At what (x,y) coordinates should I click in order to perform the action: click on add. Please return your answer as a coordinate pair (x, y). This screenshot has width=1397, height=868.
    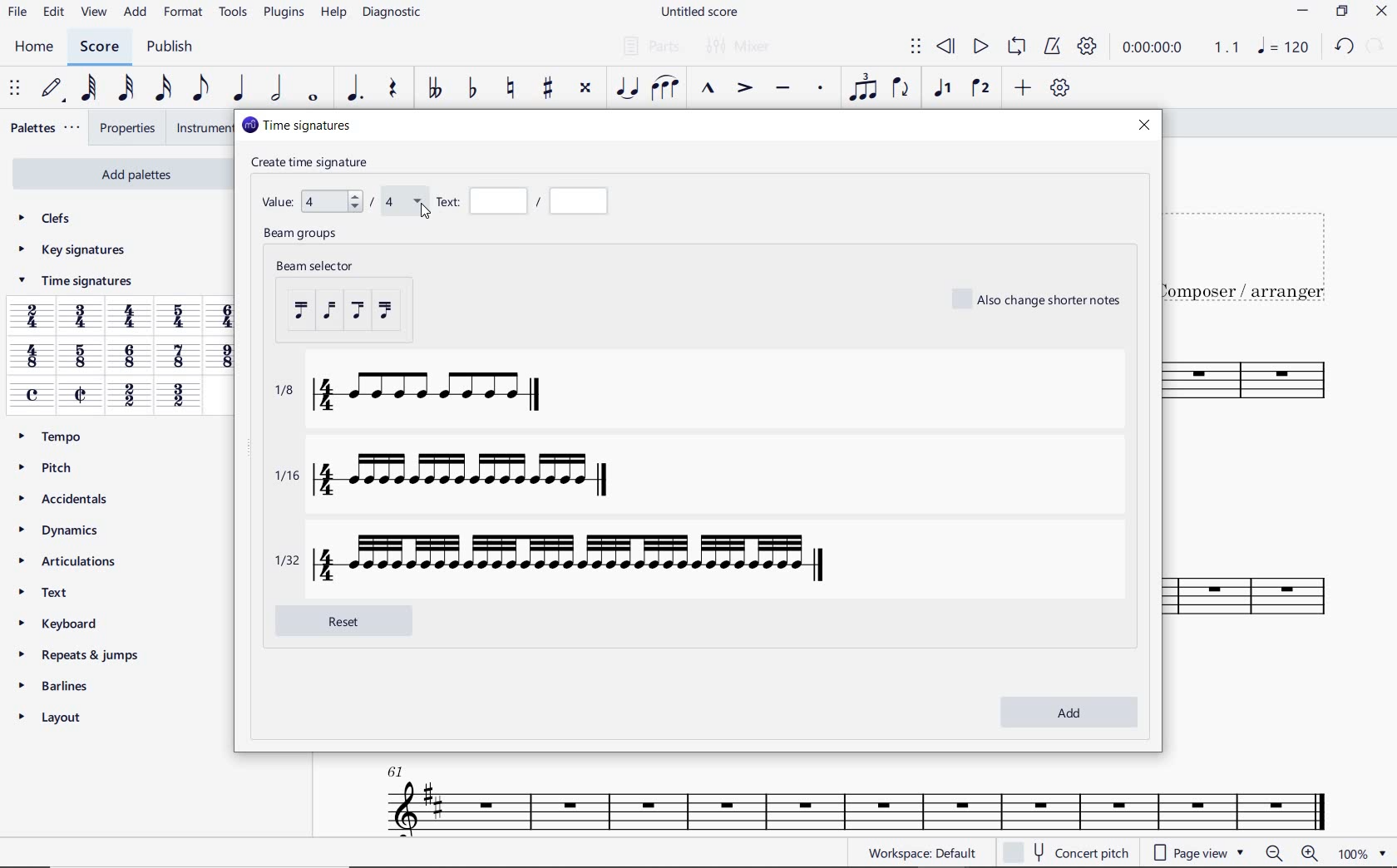
    Looking at the image, I should click on (1068, 711).